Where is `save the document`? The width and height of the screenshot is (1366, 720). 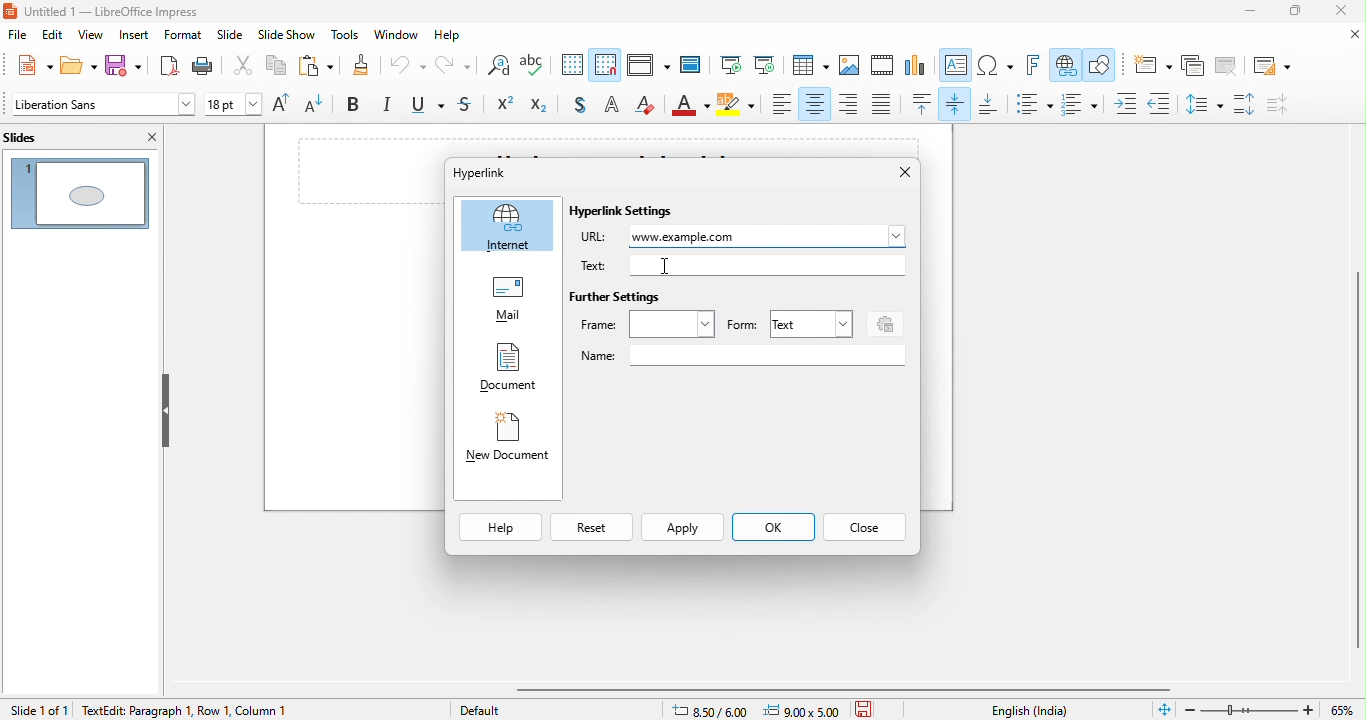 save the document is located at coordinates (870, 708).